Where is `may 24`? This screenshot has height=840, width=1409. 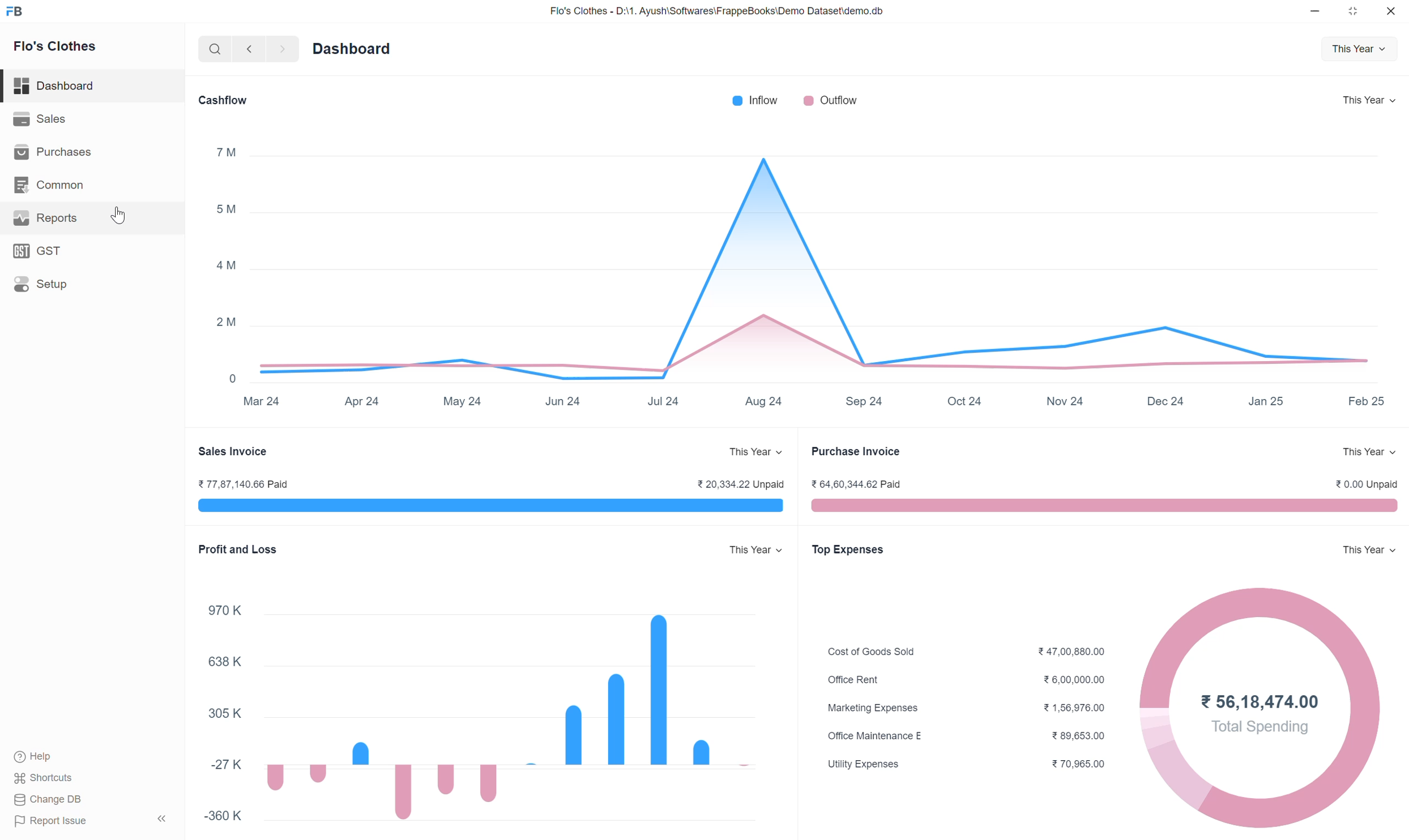
may 24 is located at coordinates (463, 400).